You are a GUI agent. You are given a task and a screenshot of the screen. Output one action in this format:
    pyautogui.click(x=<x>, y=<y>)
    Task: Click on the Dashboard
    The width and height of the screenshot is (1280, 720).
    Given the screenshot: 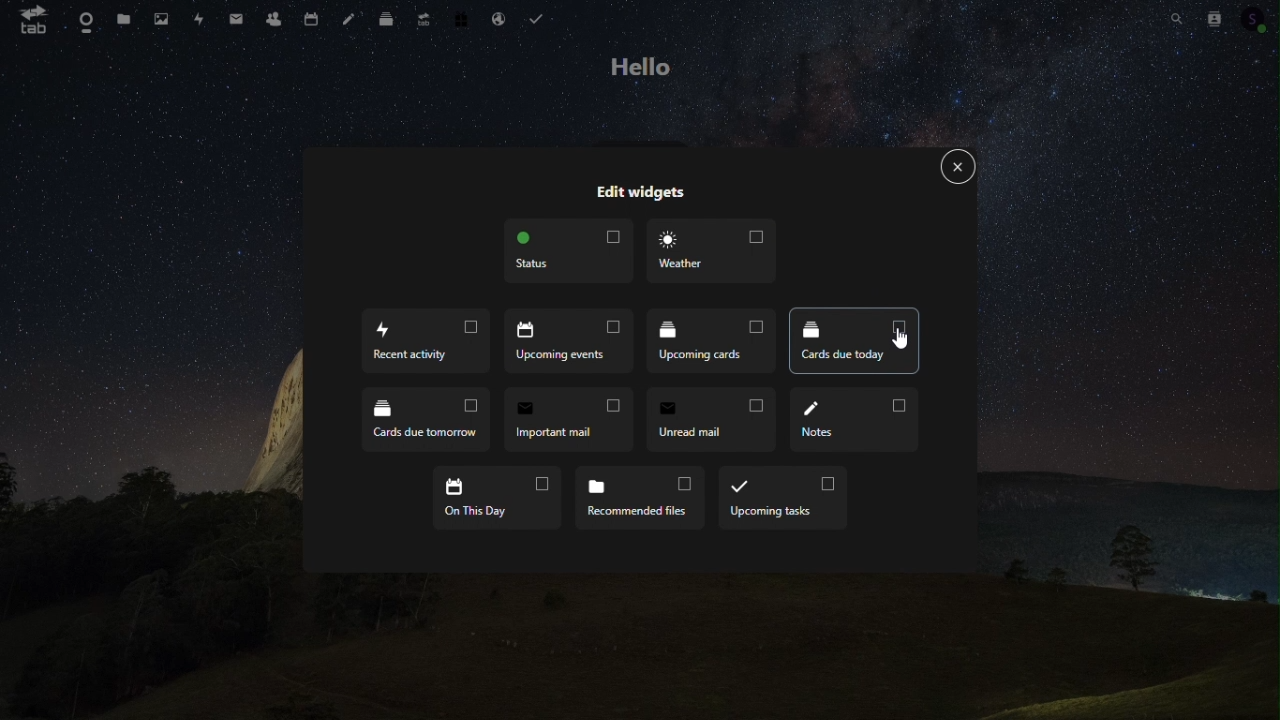 What is the action you would take?
    pyautogui.click(x=86, y=19)
    